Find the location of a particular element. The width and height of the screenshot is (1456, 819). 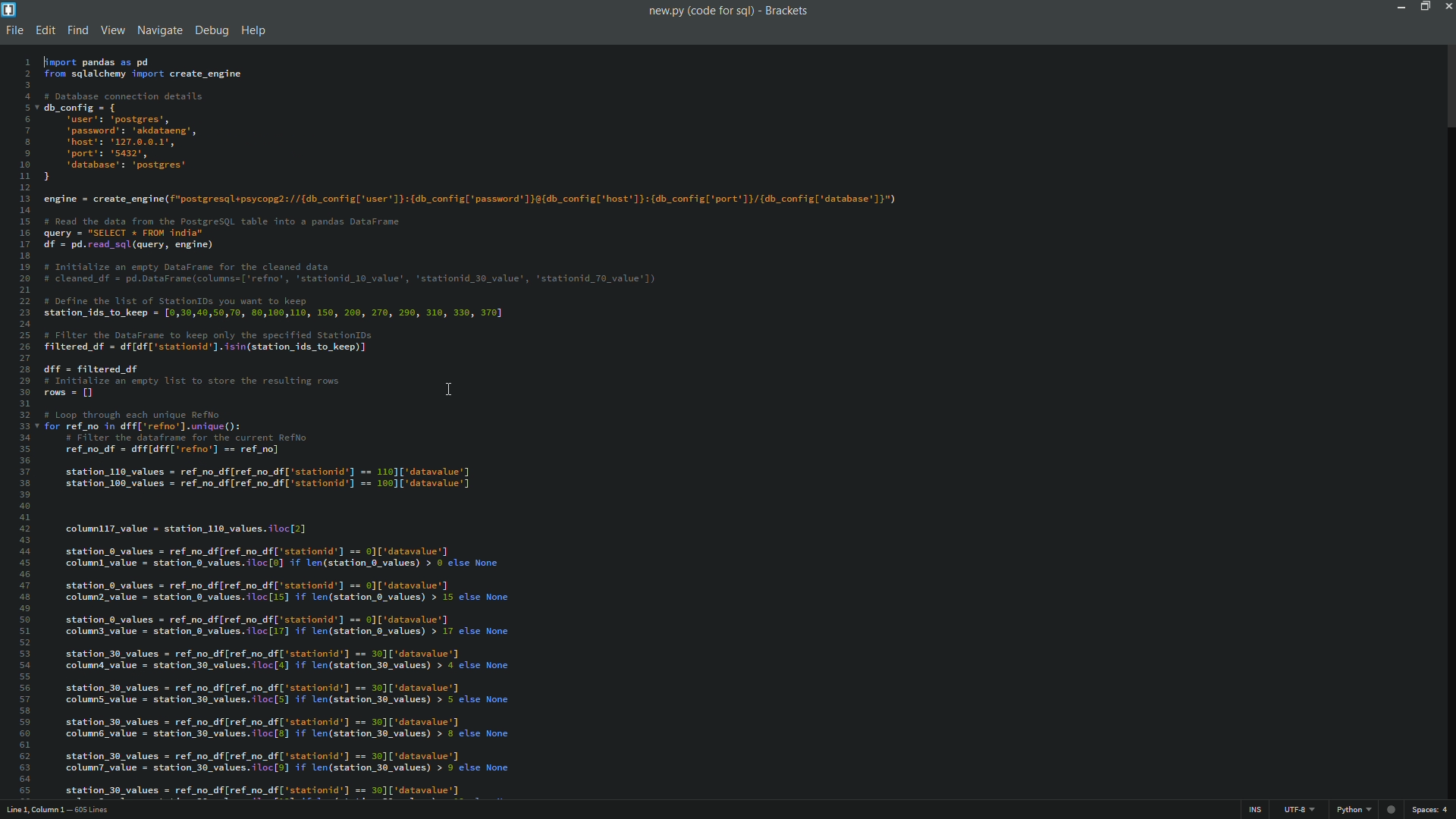

folder name is located at coordinates (724, 11).